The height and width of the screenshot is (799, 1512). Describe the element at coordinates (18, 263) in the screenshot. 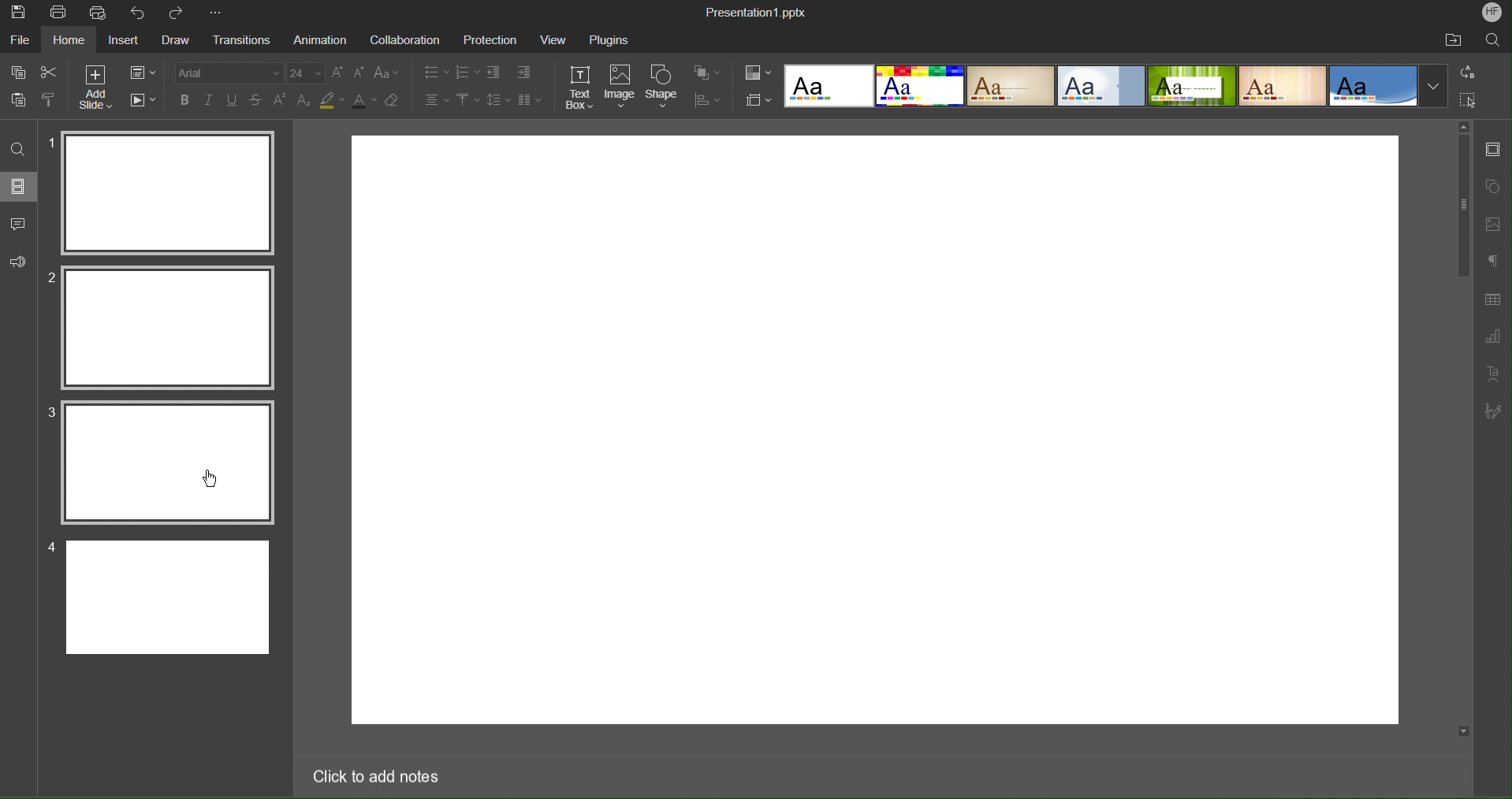

I see `Feedback and Support` at that location.